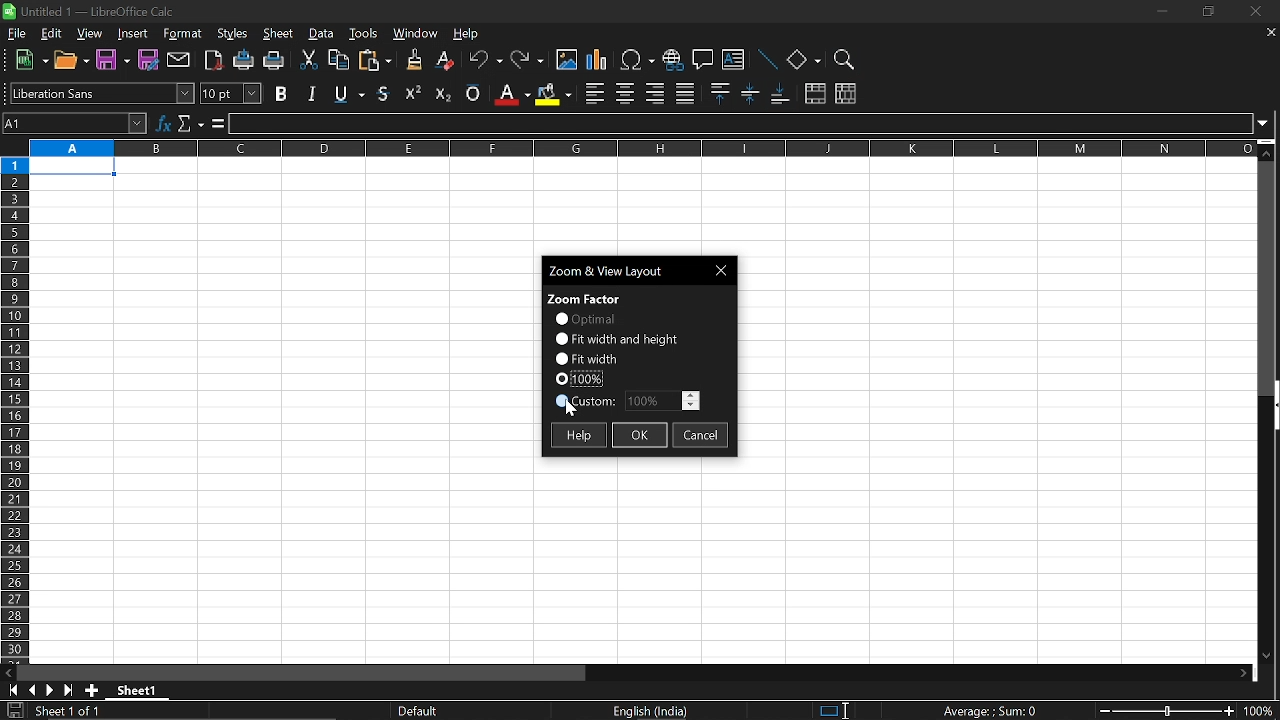  Describe the element at coordinates (374, 62) in the screenshot. I see `paste` at that location.